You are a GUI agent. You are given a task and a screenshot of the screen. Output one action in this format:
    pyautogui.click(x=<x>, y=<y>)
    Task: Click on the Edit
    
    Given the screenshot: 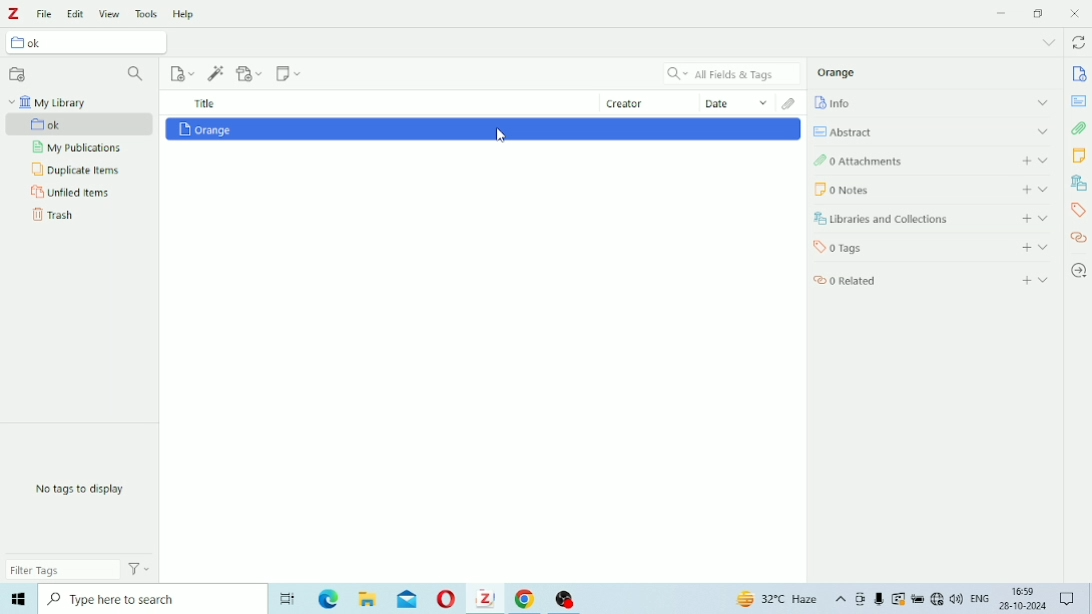 What is the action you would take?
    pyautogui.click(x=76, y=14)
    